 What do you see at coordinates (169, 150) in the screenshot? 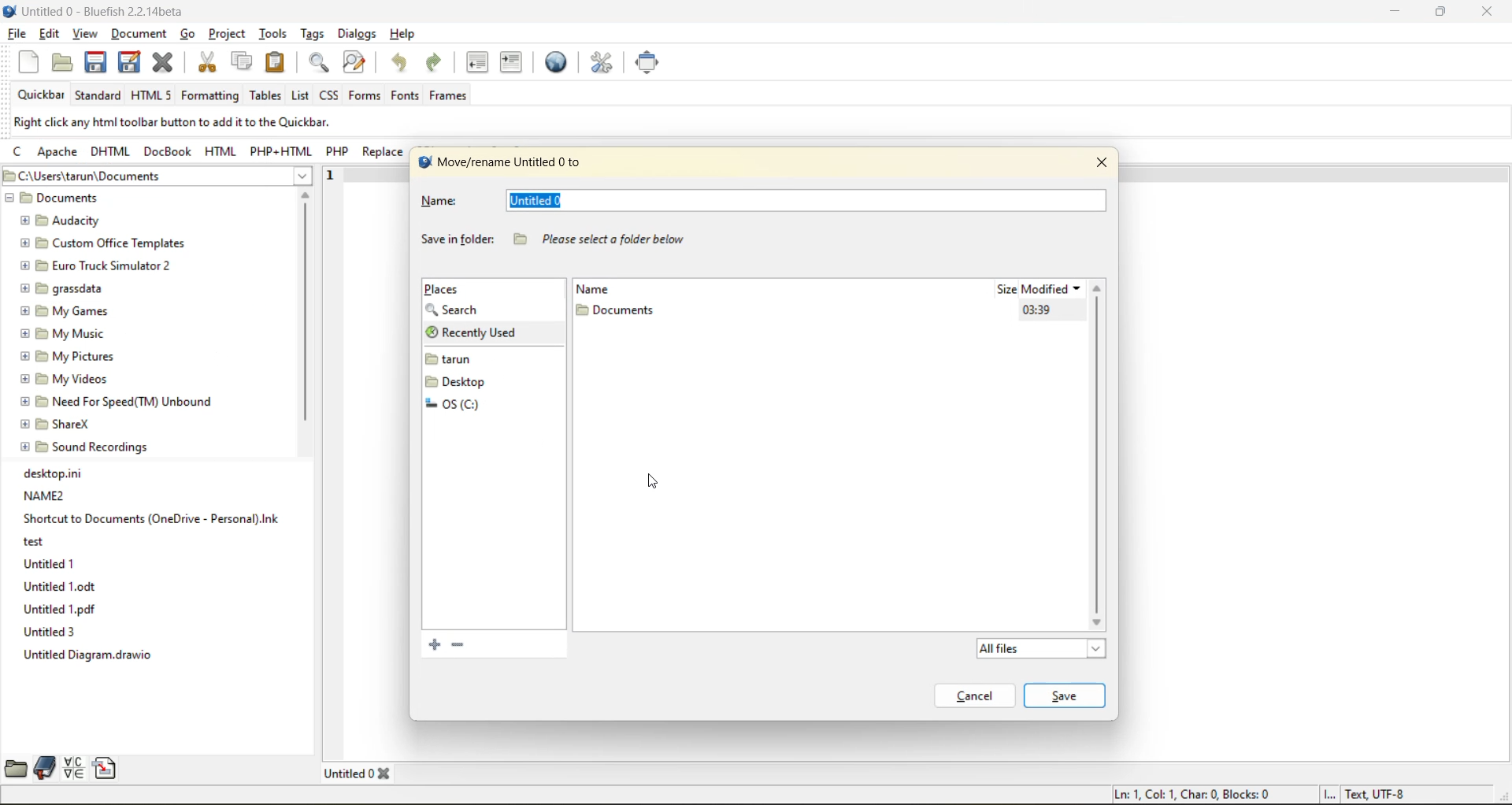
I see `docbook` at bounding box center [169, 150].